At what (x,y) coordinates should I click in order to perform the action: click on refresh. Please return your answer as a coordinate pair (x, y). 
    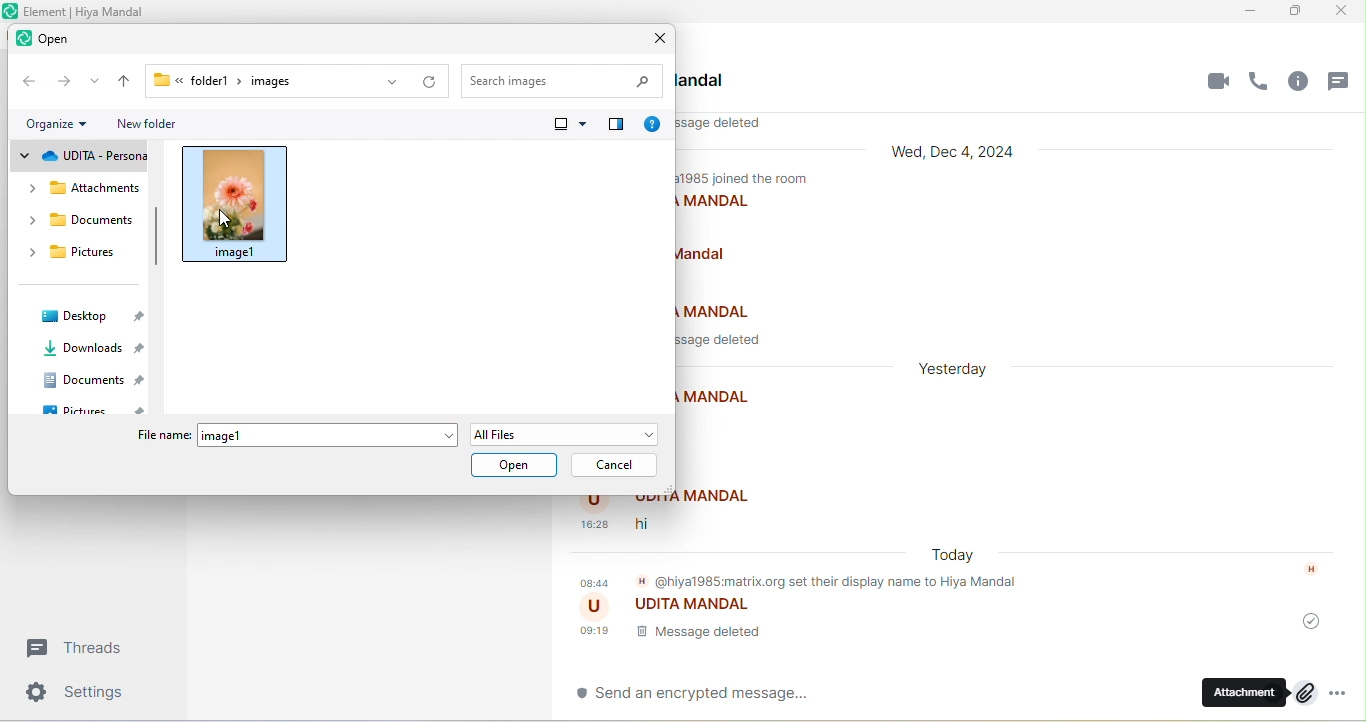
    Looking at the image, I should click on (429, 83).